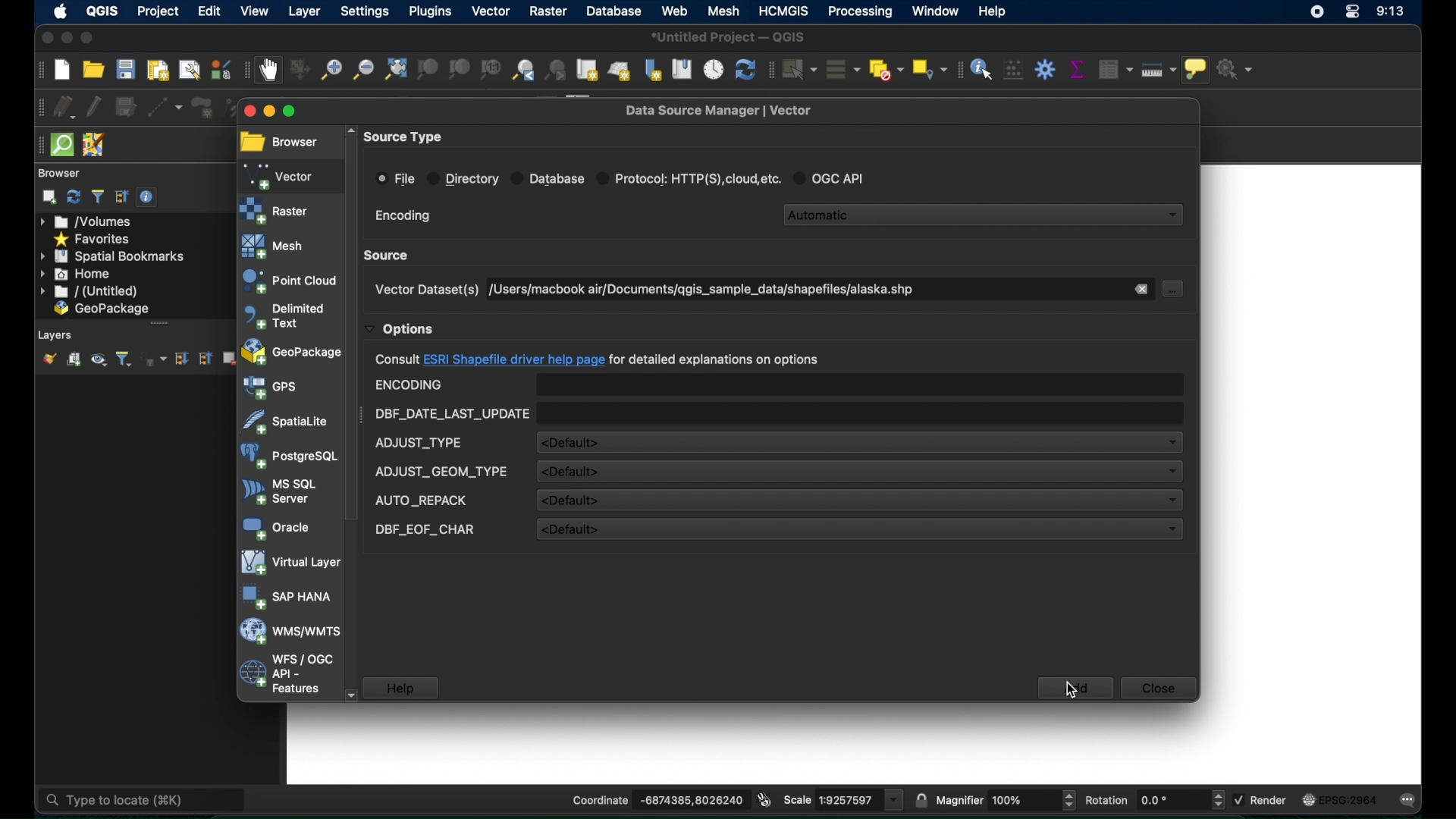 The width and height of the screenshot is (1456, 819). I want to click on untitled, so click(89, 292).